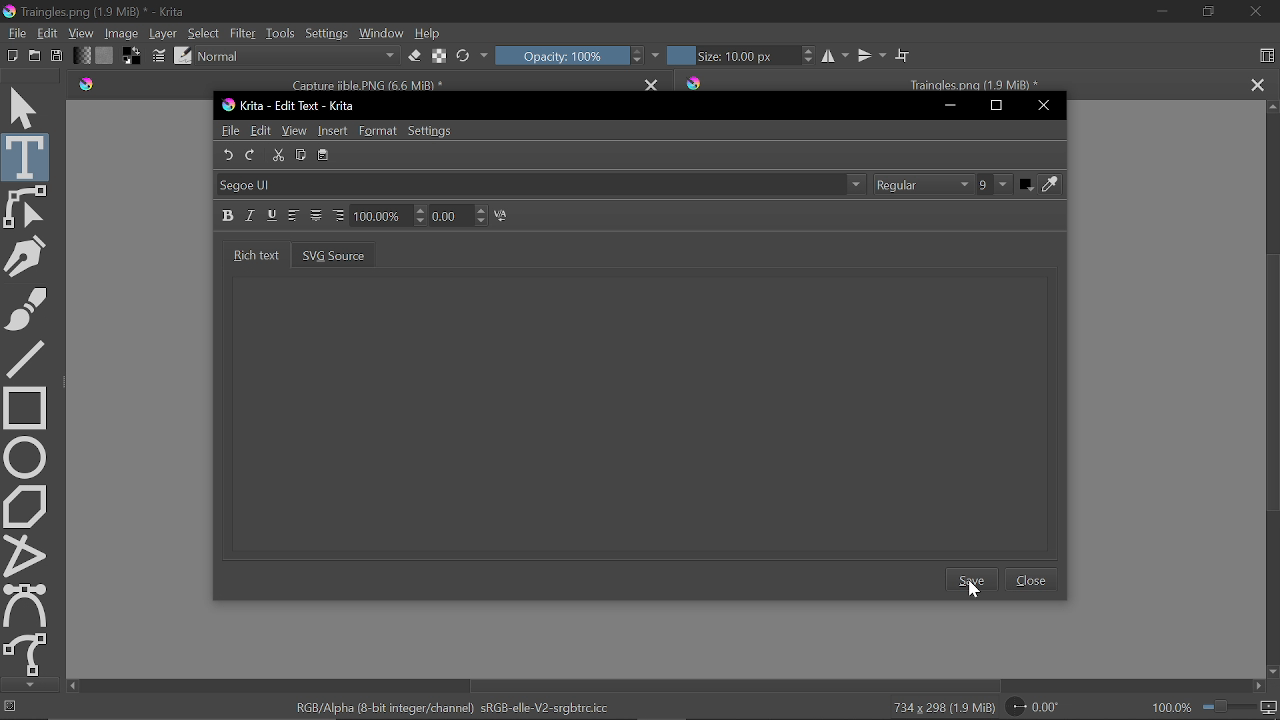 This screenshot has height=720, width=1280. Describe the element at coordinates (1042, 188) in the screenshot. I see `Font color` at that location.